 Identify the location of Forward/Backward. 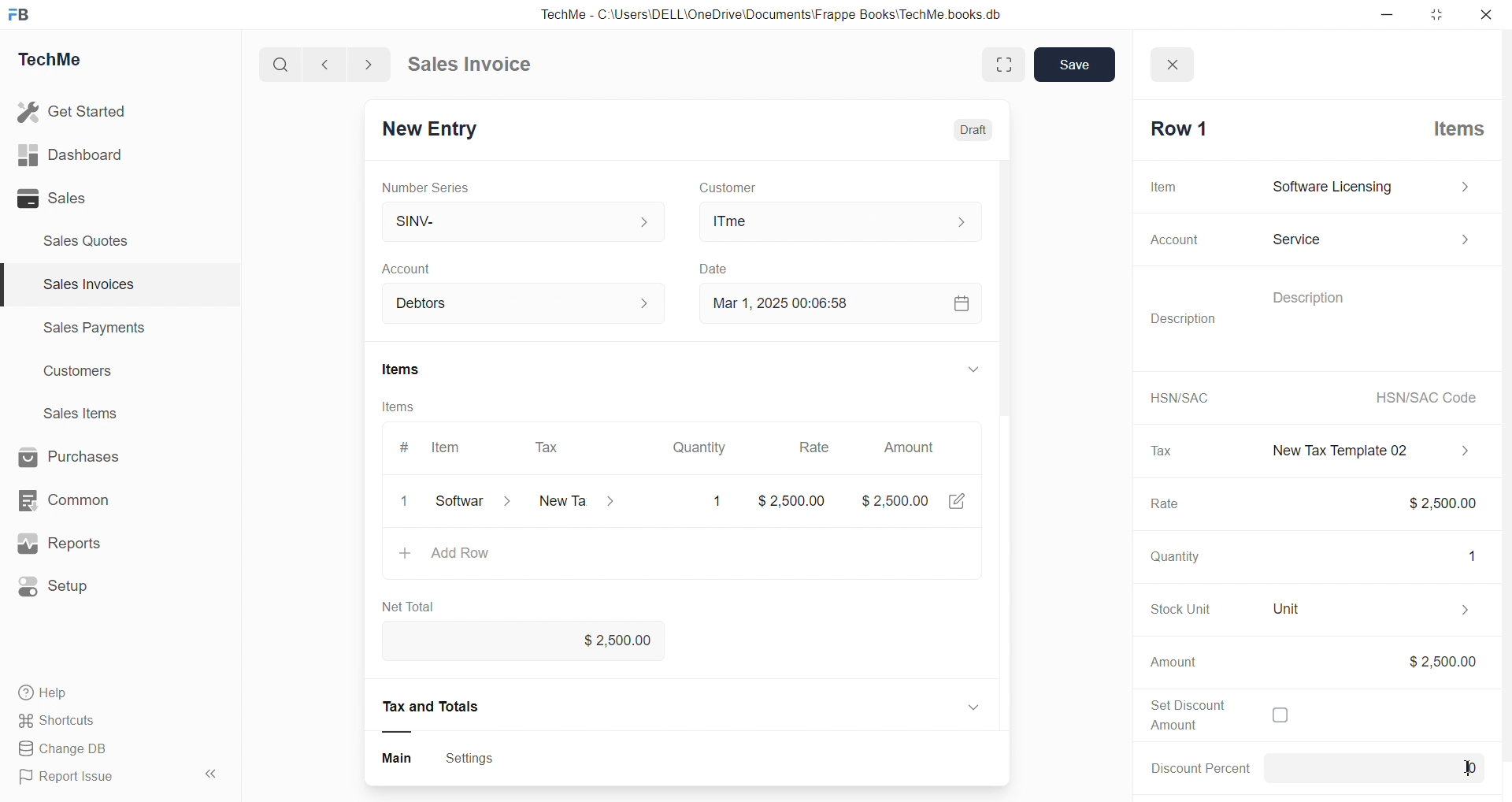
(348, 63).